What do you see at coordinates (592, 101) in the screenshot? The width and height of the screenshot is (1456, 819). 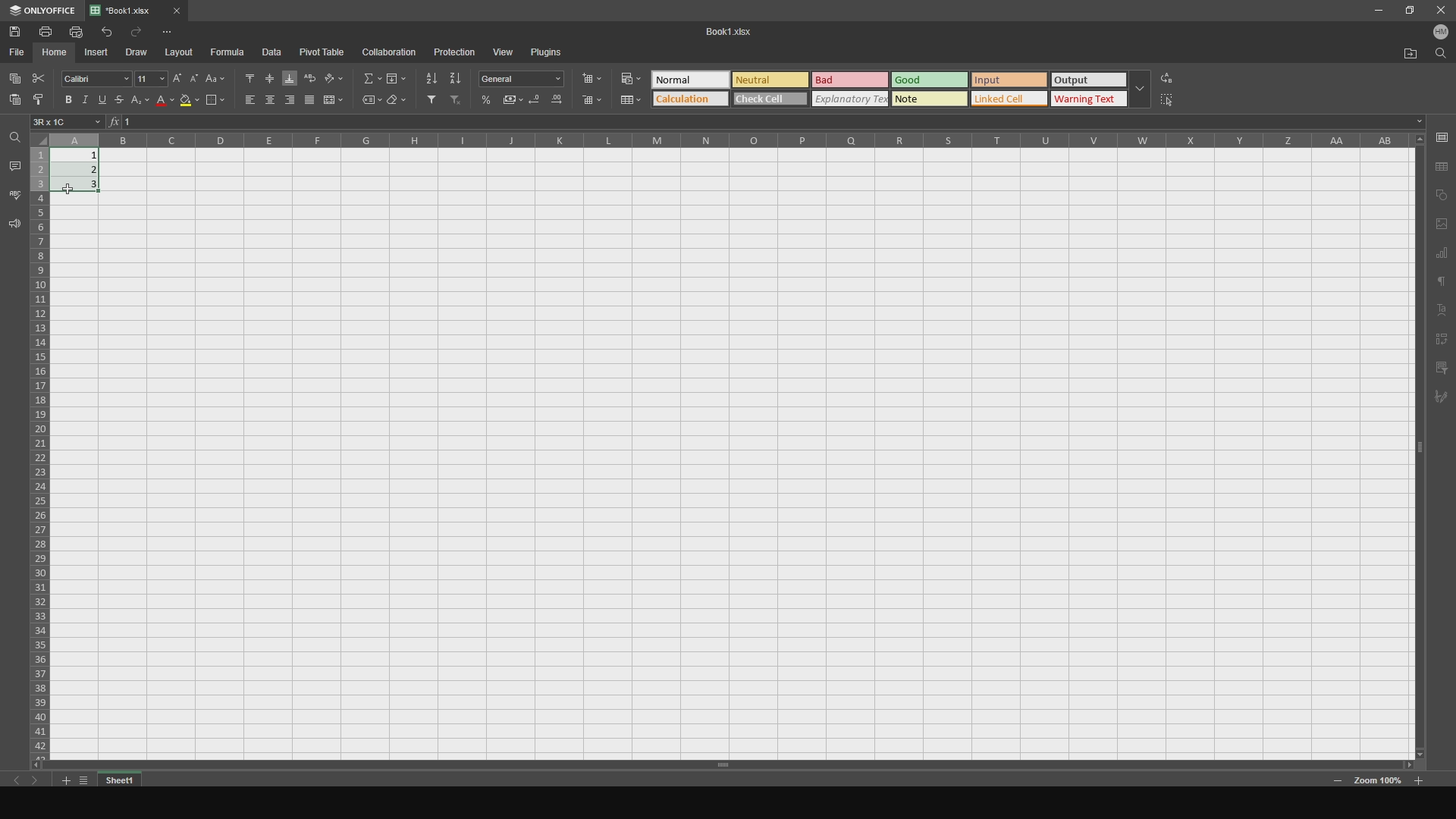 I see `delete cells` at bounding box center [592, 101].